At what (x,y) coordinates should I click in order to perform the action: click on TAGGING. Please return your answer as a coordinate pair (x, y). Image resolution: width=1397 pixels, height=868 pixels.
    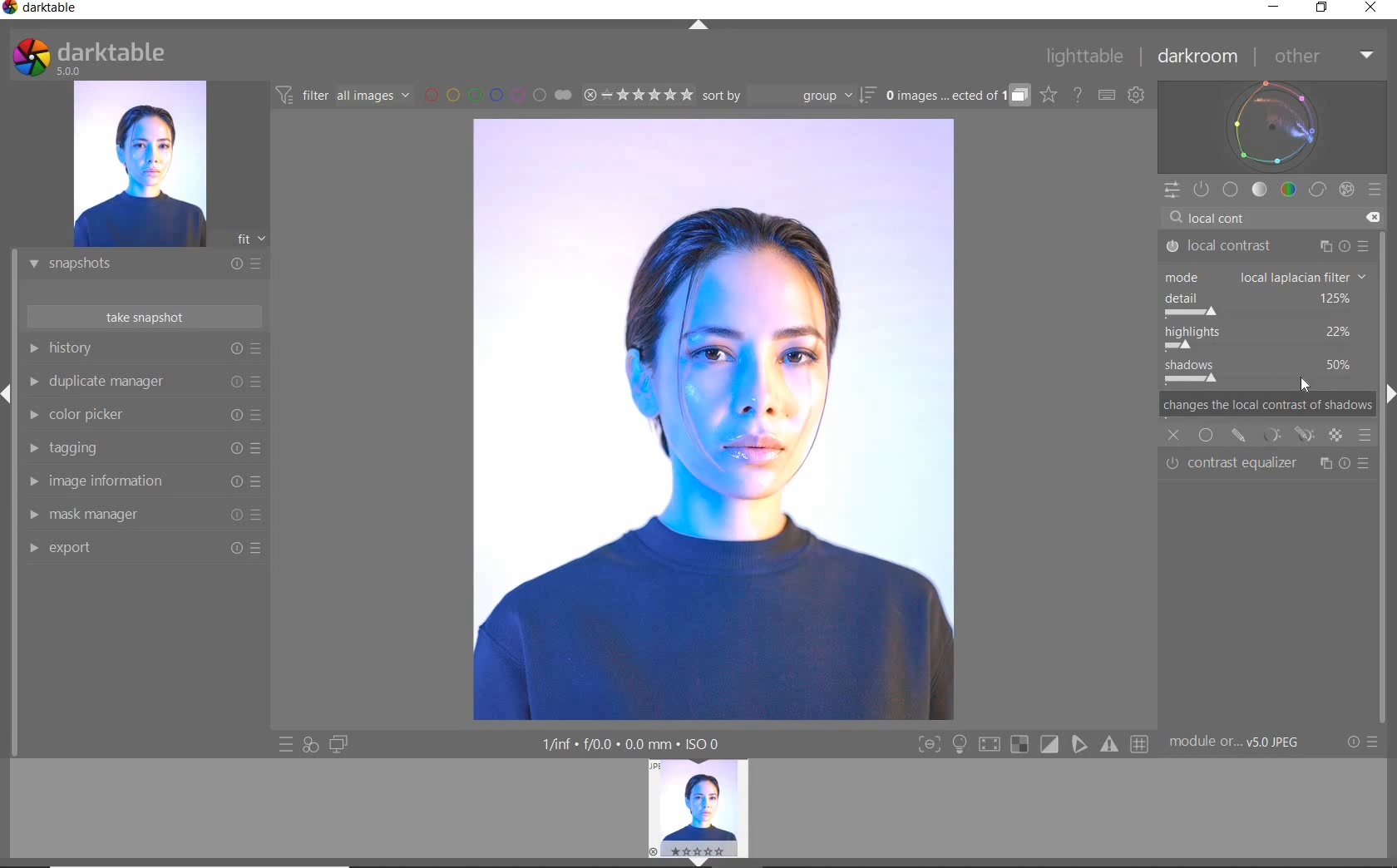
    Looking at the image, I should click on (141, 449).